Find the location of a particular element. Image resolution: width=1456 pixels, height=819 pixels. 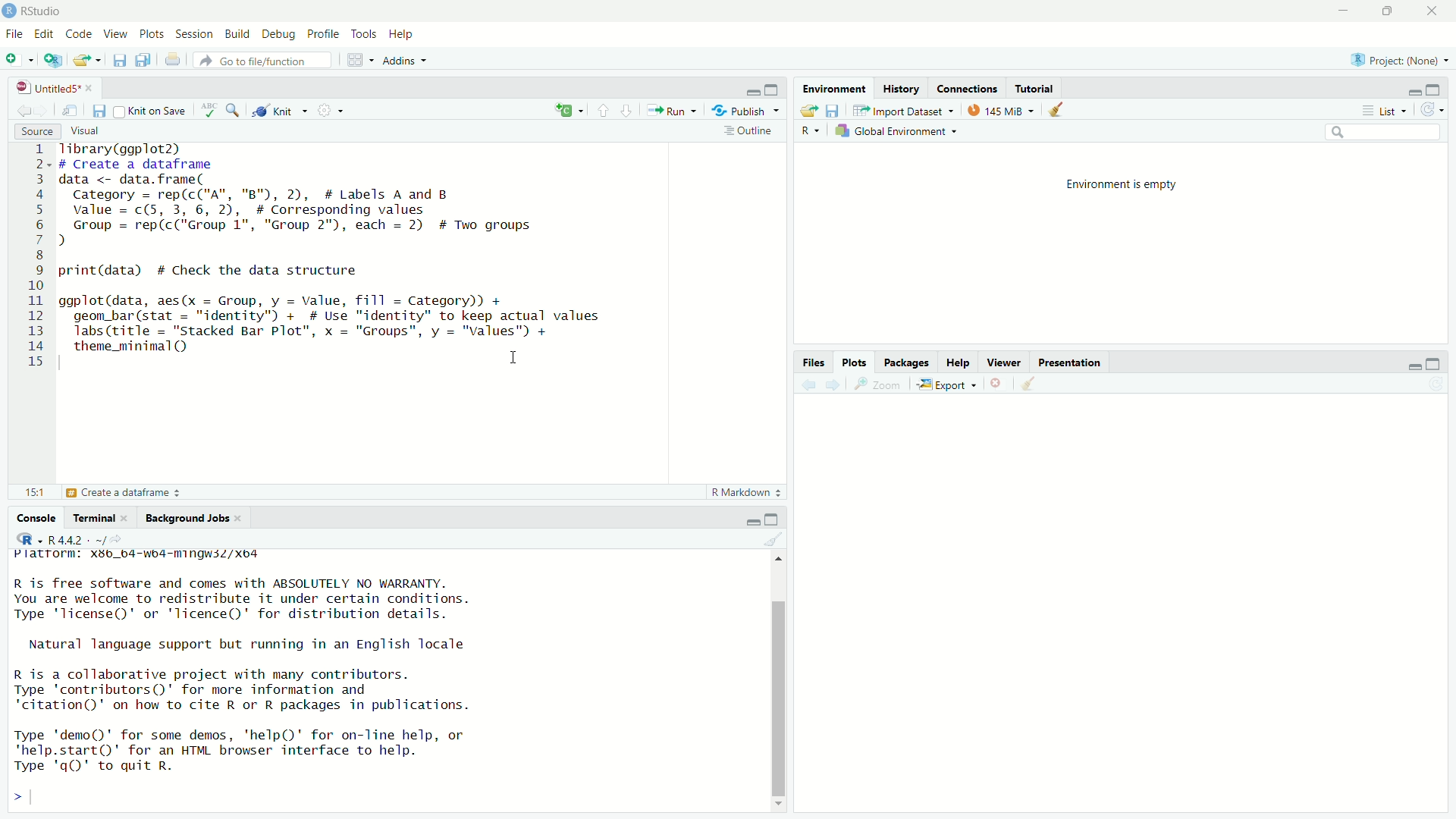

History is located at coordinates (902, 86).